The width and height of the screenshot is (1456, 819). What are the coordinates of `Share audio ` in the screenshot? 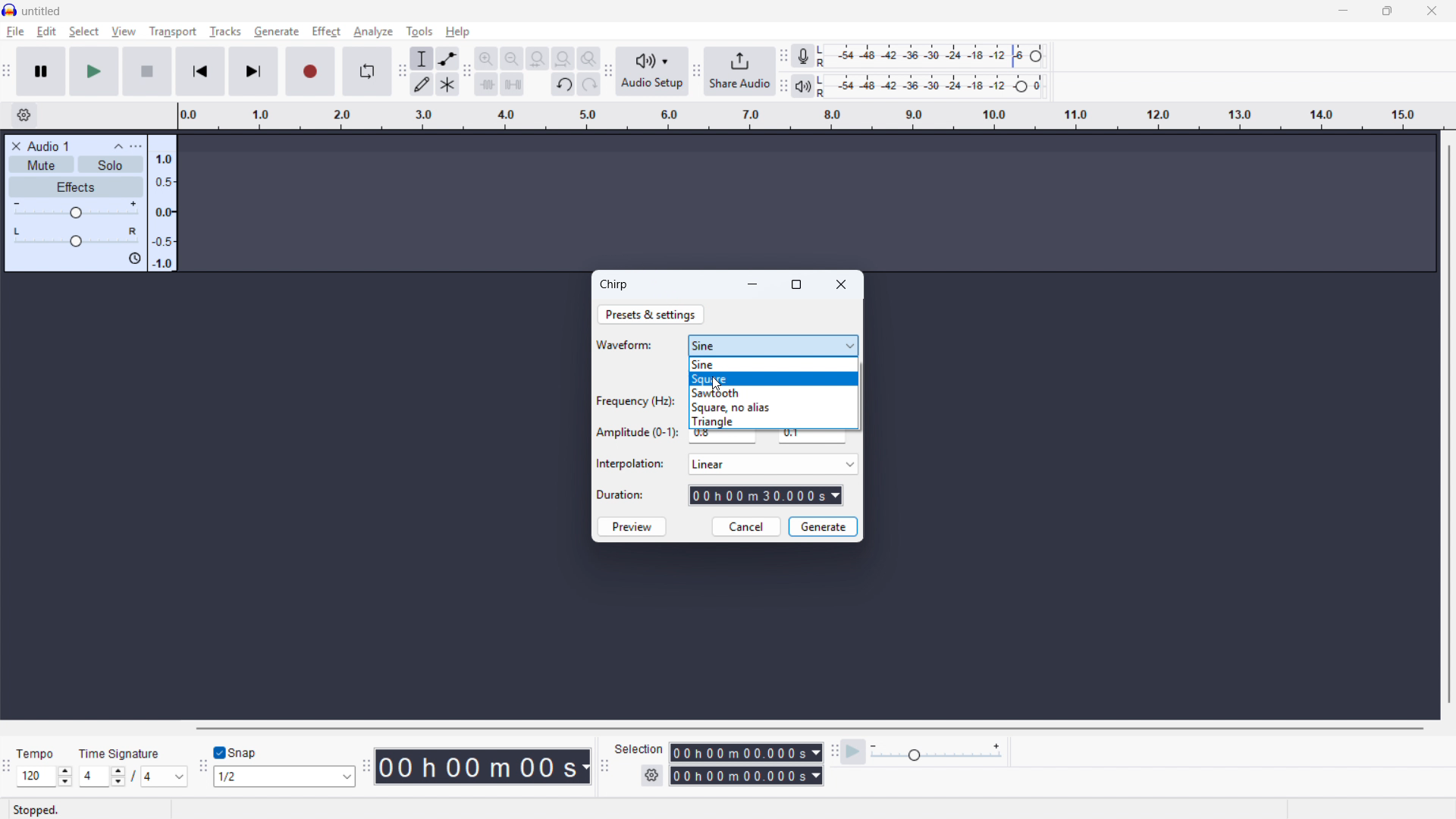 It's located at (741, 71).